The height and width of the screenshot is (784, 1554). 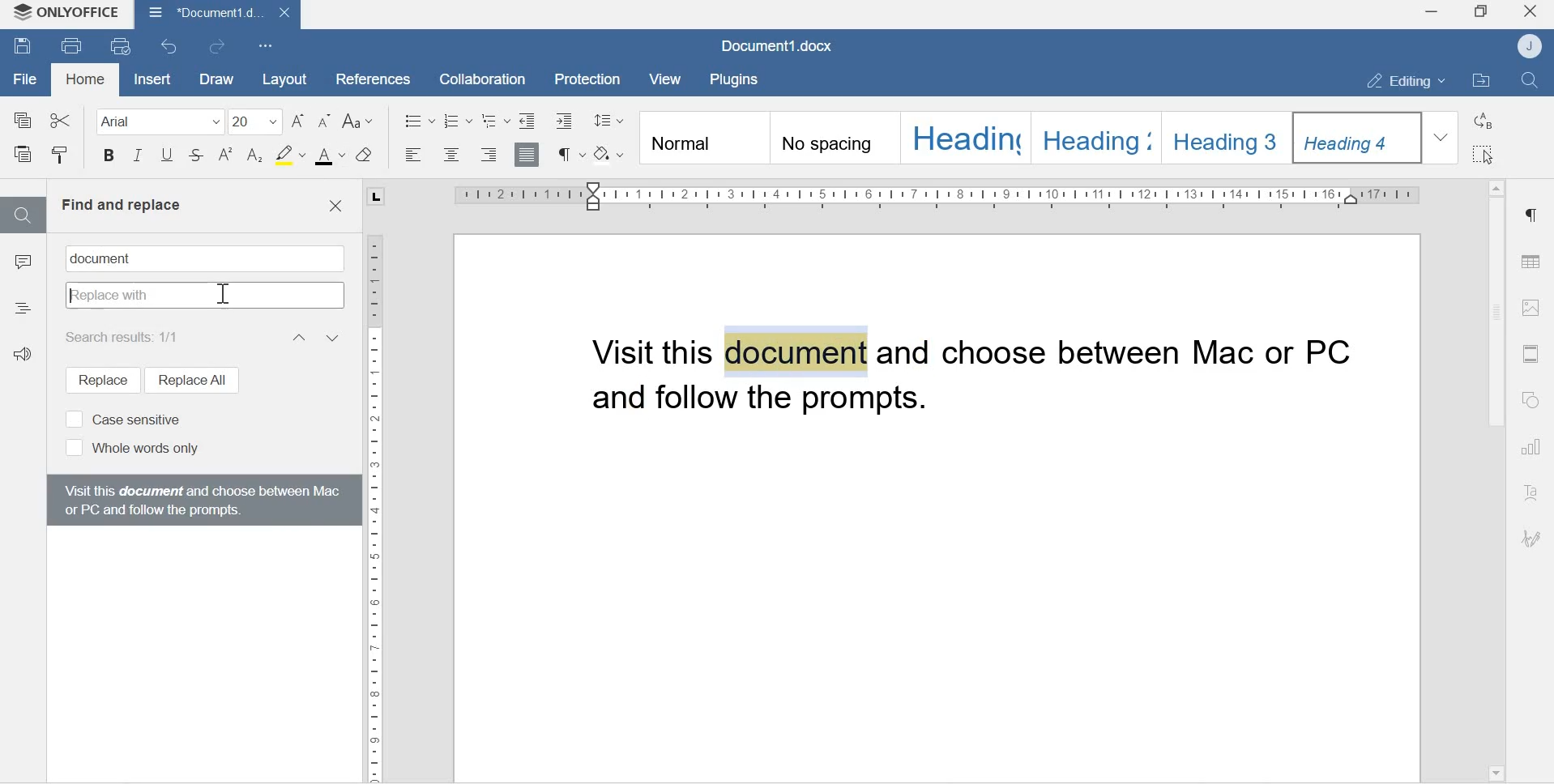 I want to click on Layout, so click(x=283, y=79).